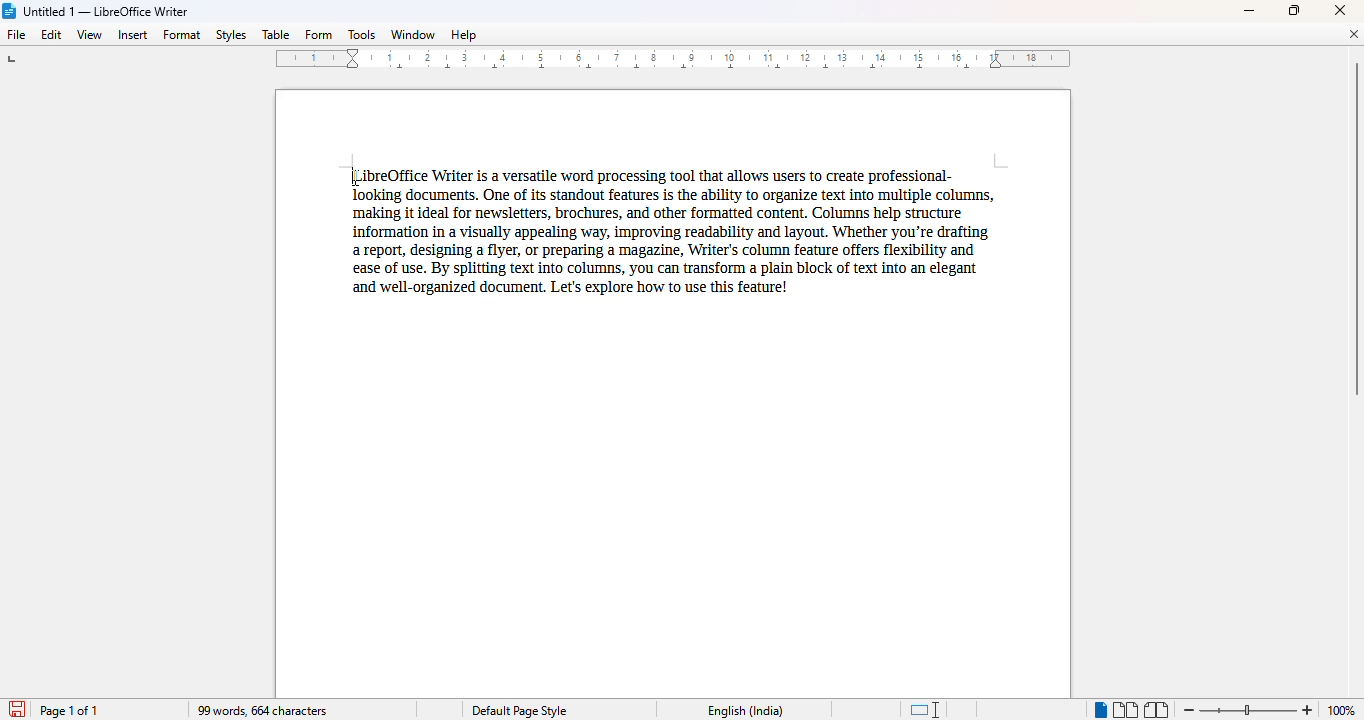 The image size is (1364, 720). I want to click on close document, so click(1353, 34).